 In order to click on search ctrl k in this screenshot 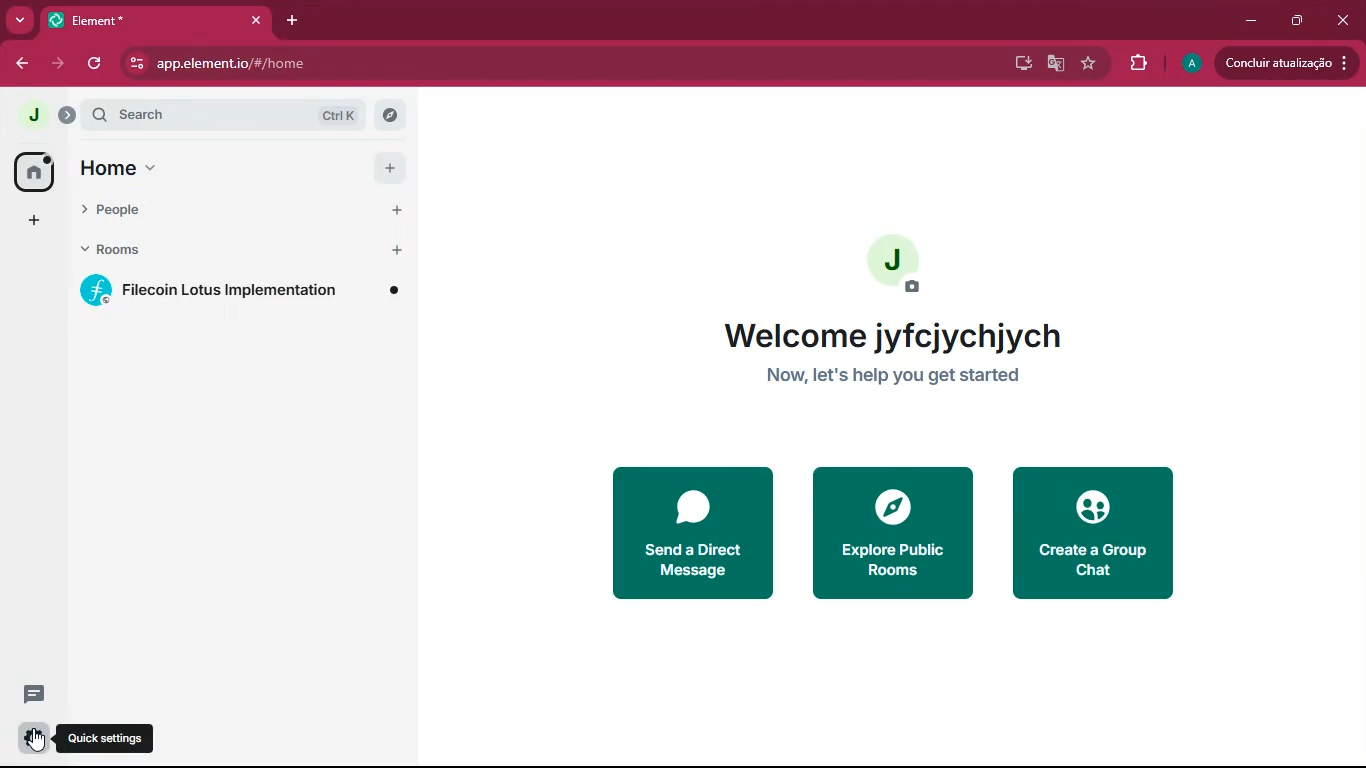, I will do `click(239, 115)`.